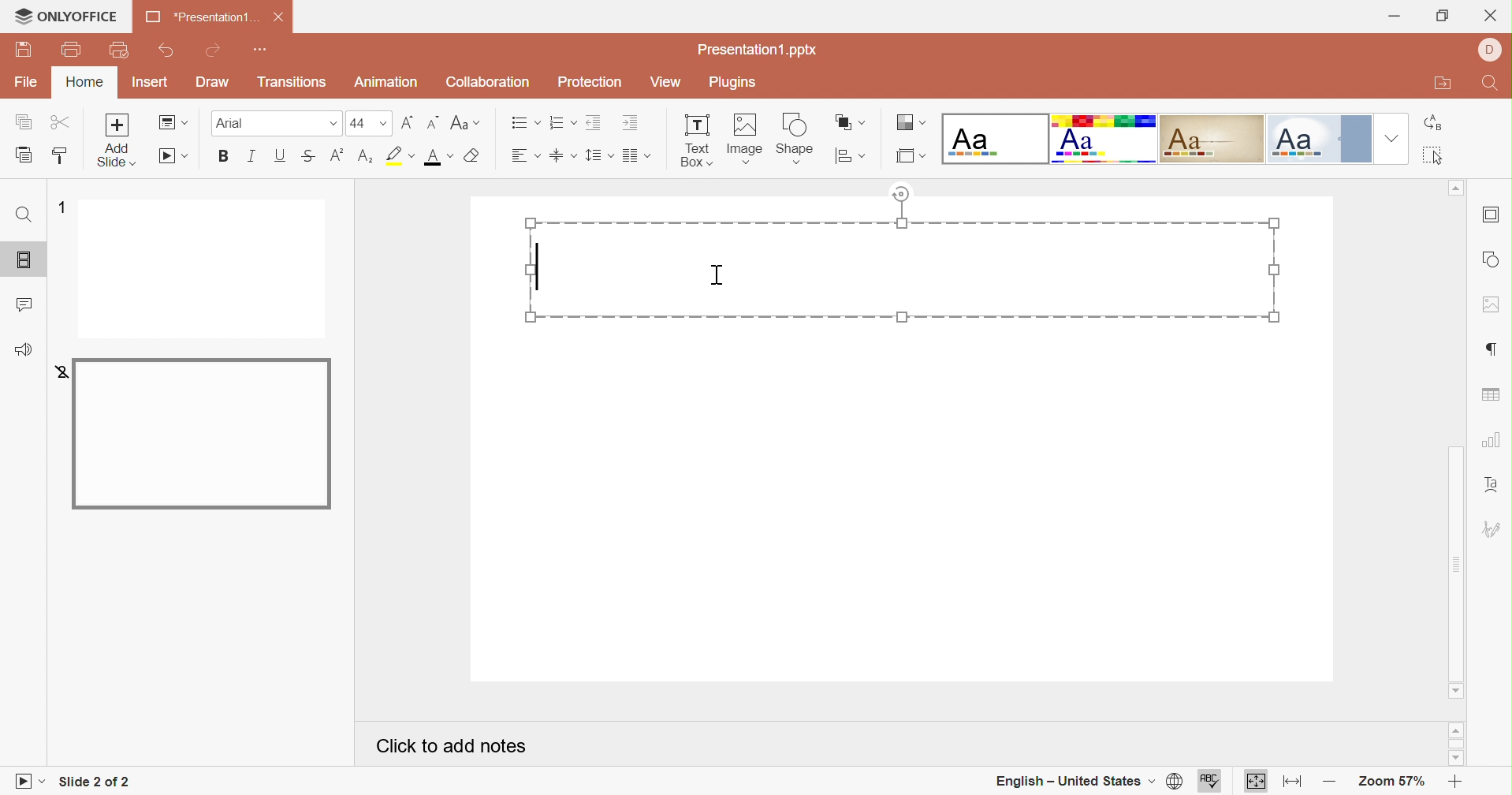 The width and height of the screenshot is (1512, 795). I want to click on Customize Quick Access Toolbar, so click(264, 50).